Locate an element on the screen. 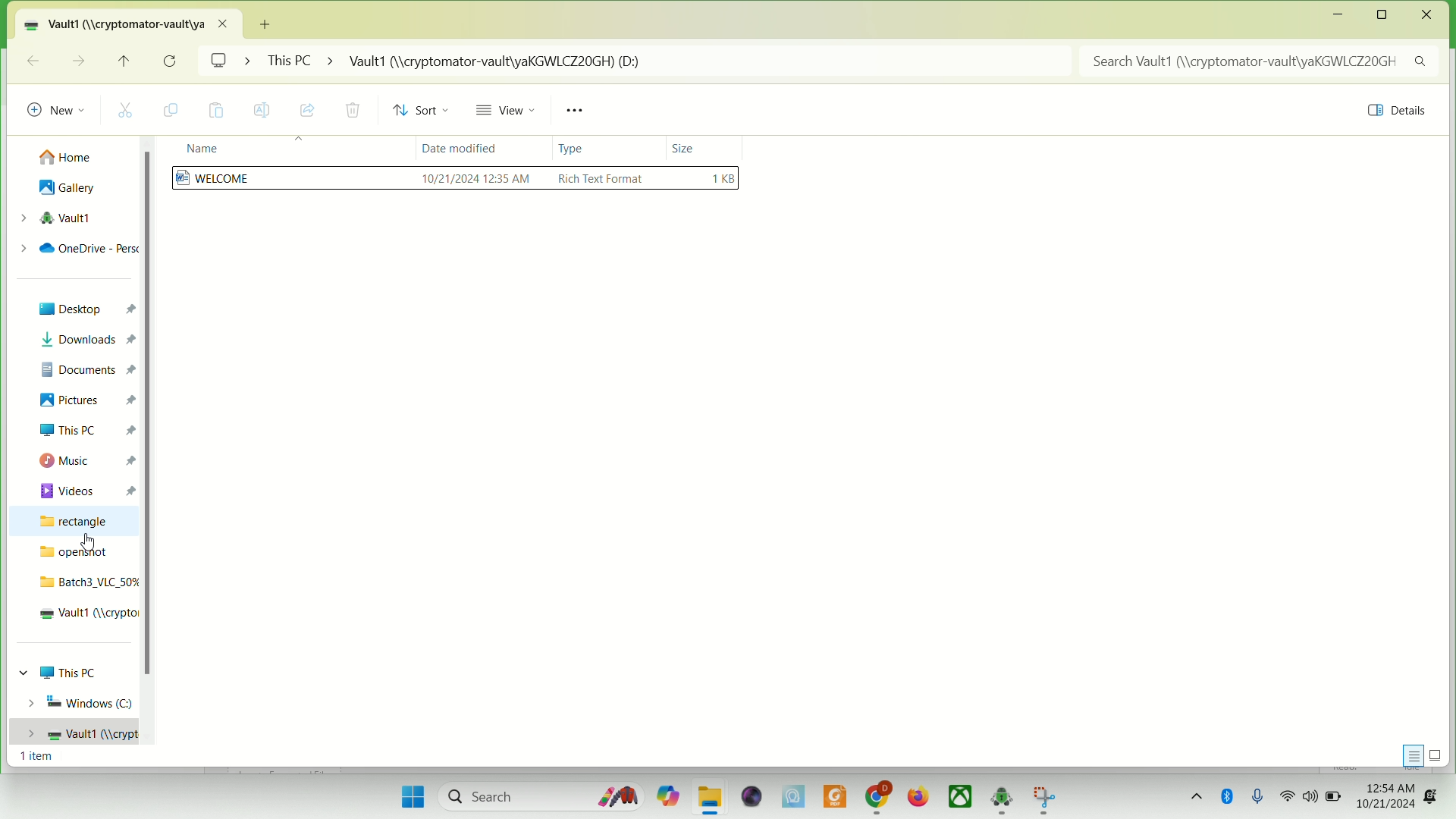 The height and width of the screenshot is (819, 1456). copilet is located at coordinates (664, 796).